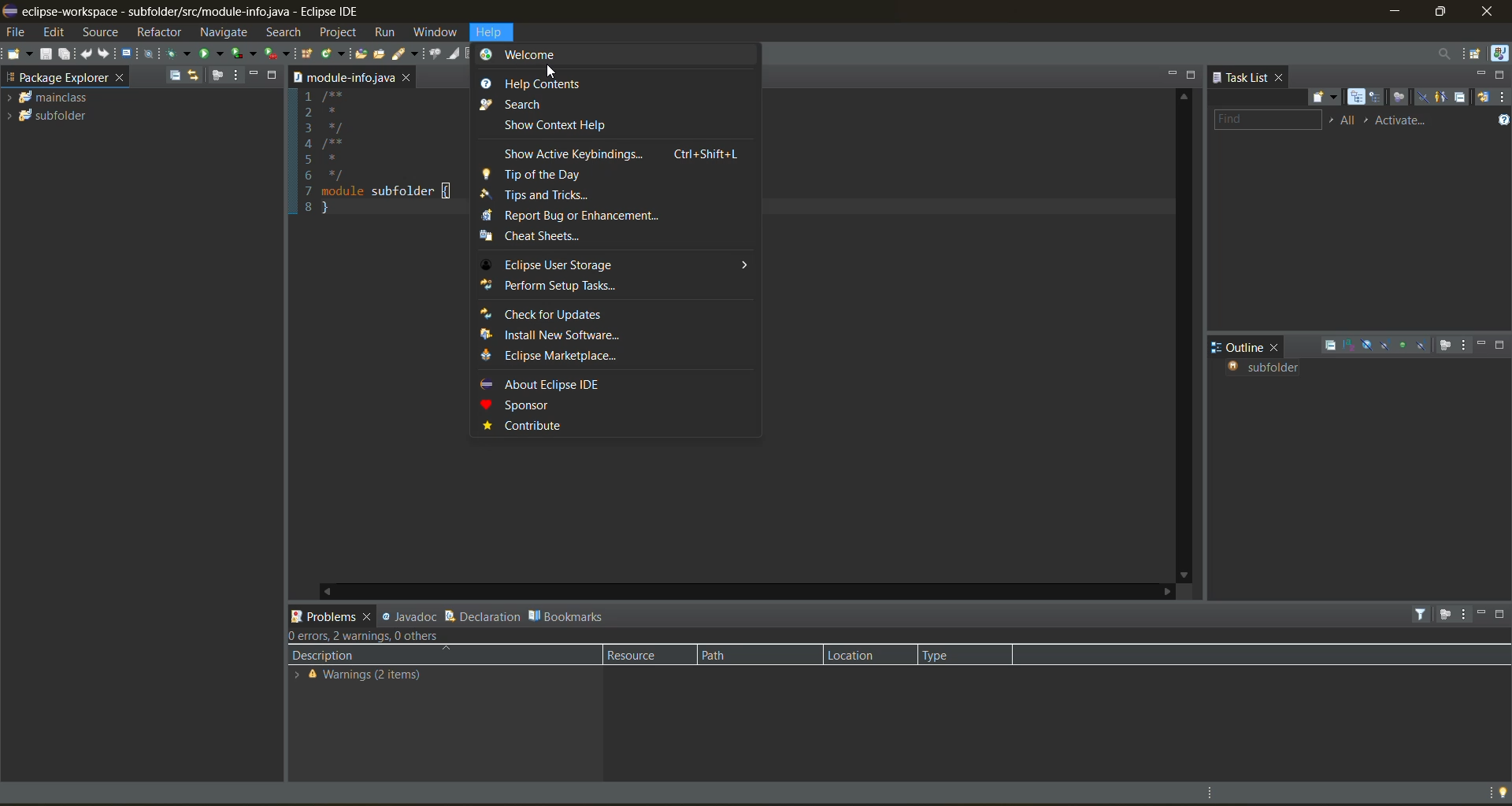 Image resolution: width=1512 pixels, height=806 pixels. I want to click on type, so click(948, 653).